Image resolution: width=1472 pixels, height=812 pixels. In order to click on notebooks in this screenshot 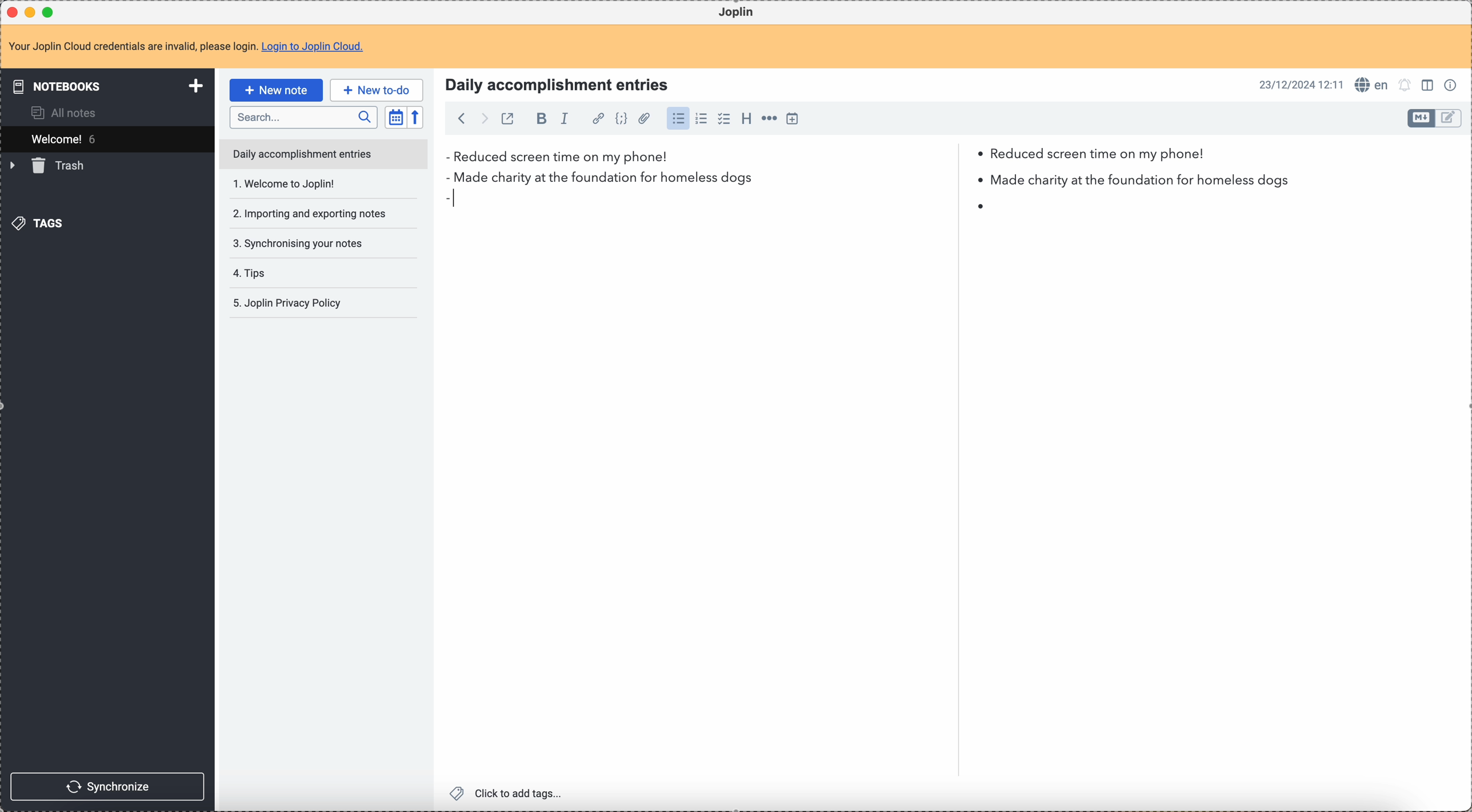, I will do `click(105, 85)`.